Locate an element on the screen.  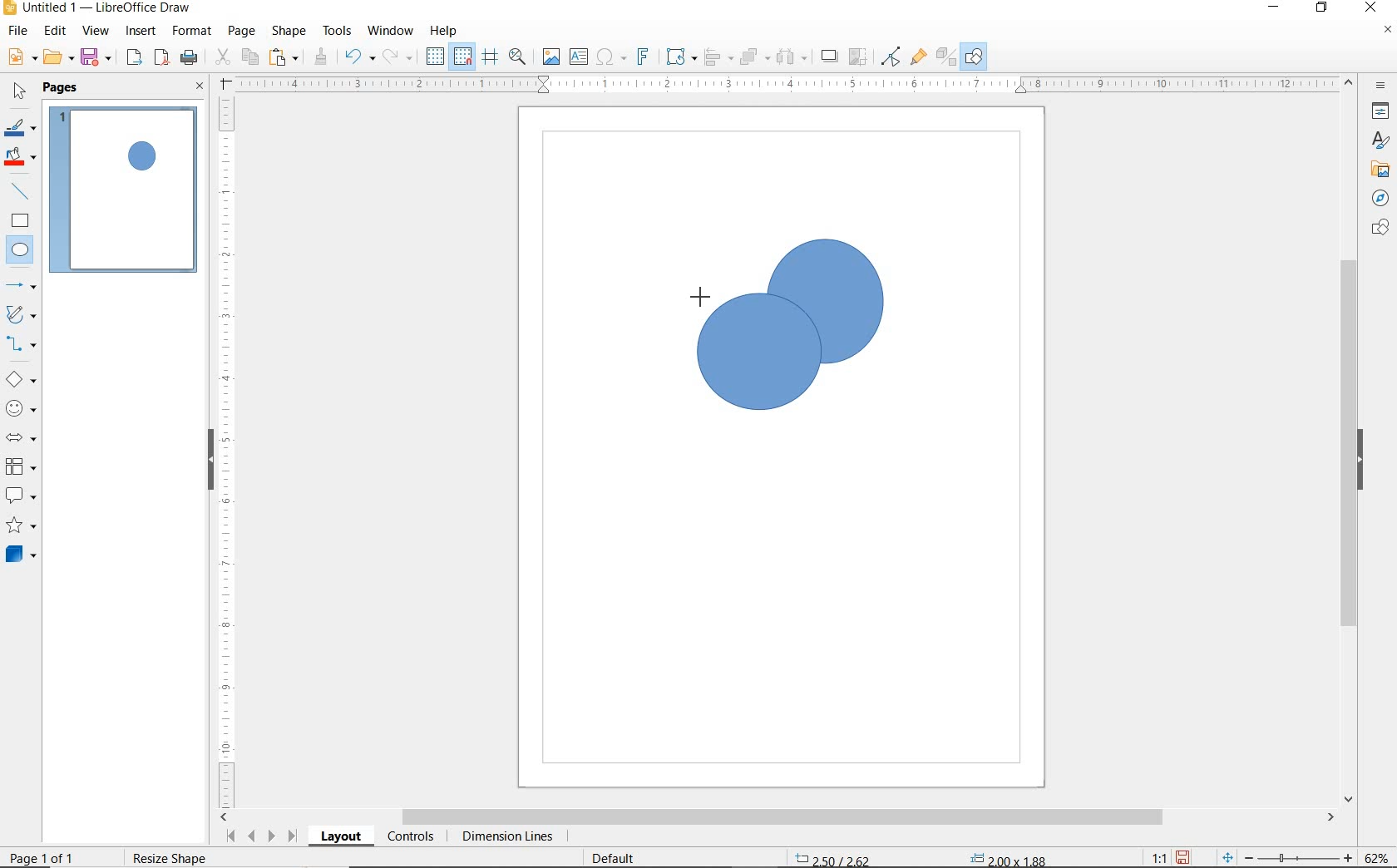
OPEN is located at coordinates (58, 59).